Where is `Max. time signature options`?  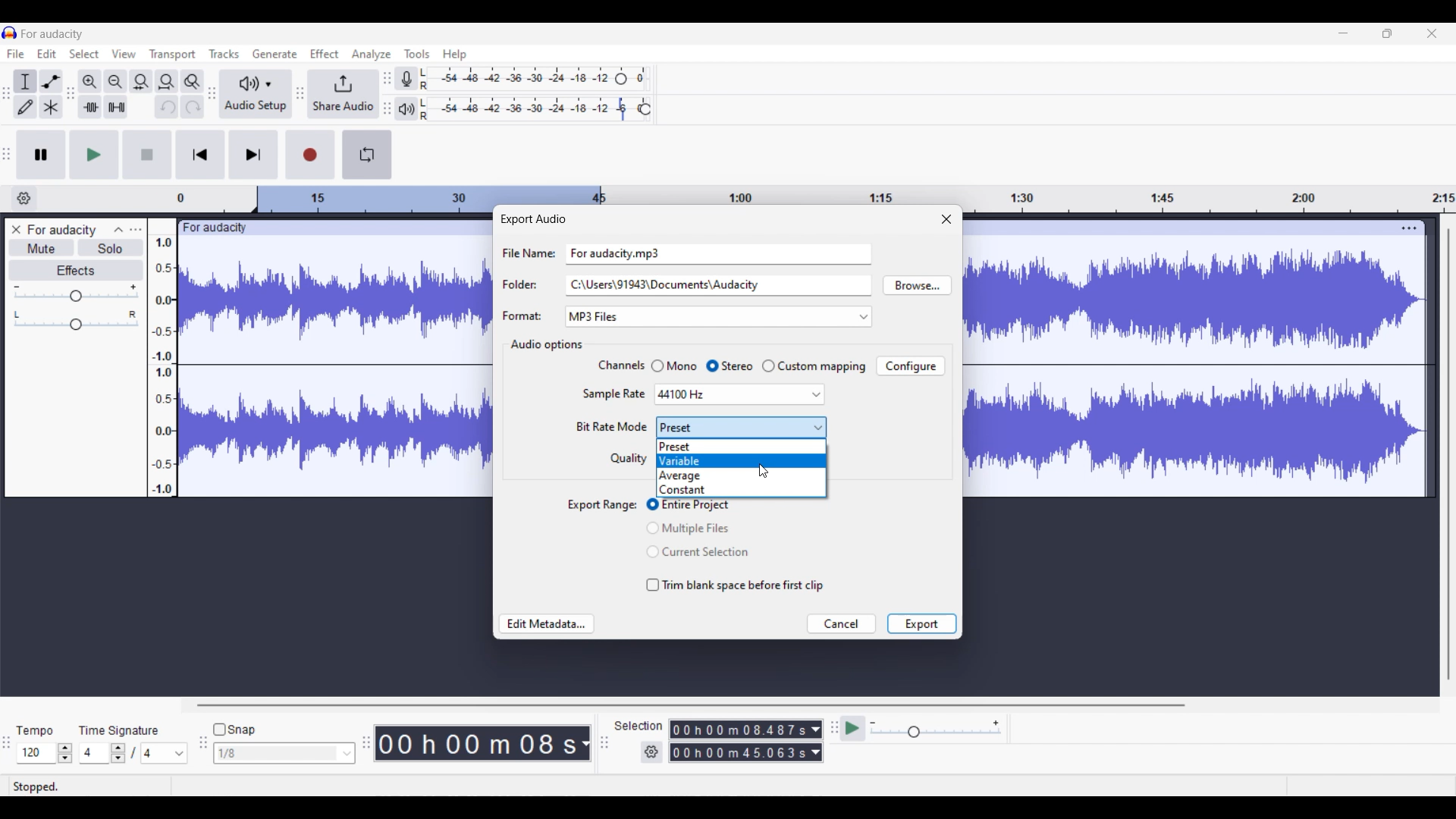
Max. time signature options is located at coordinates (165, 753).